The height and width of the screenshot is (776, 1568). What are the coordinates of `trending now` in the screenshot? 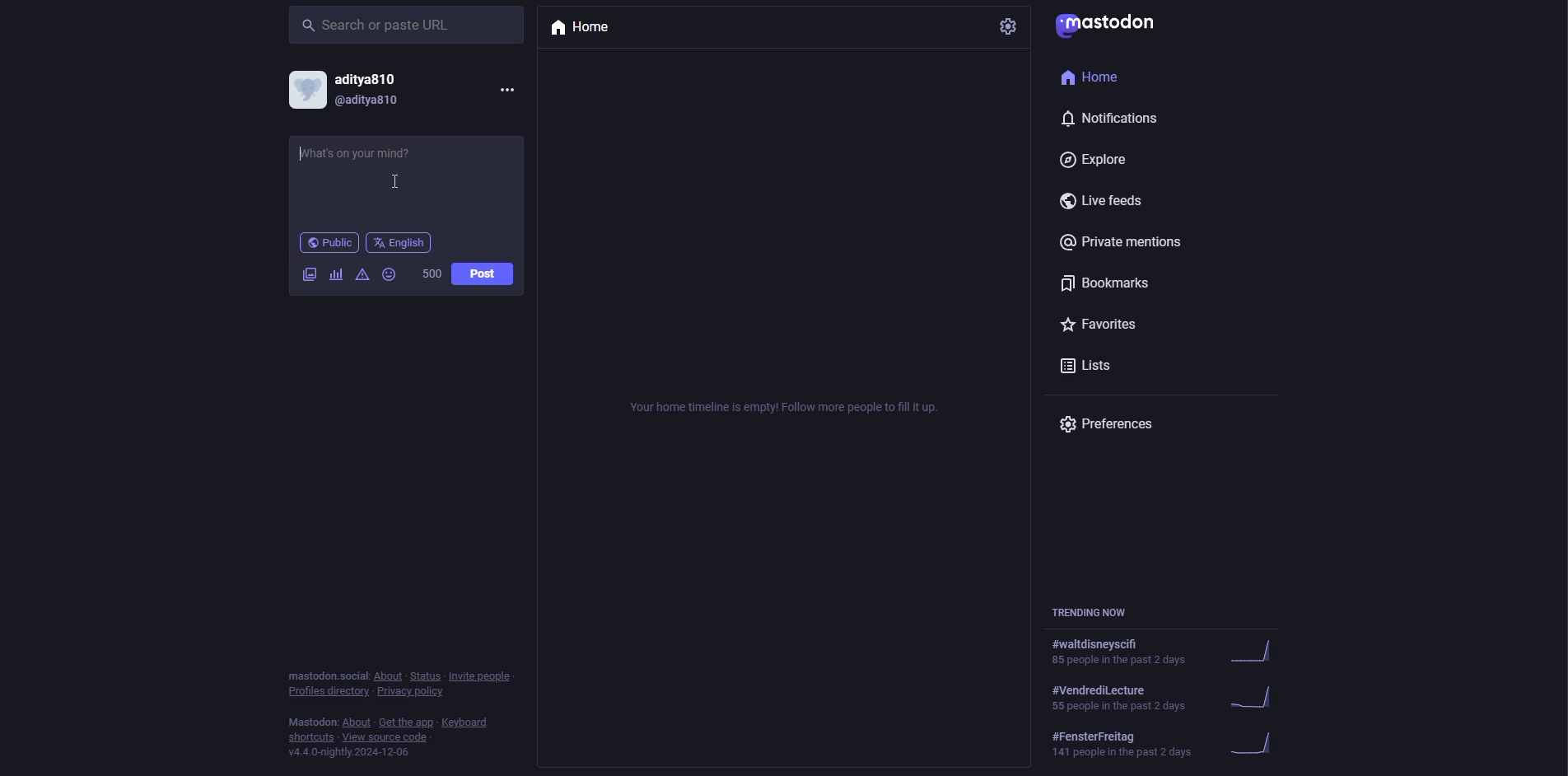 It's located at (1171, 742).